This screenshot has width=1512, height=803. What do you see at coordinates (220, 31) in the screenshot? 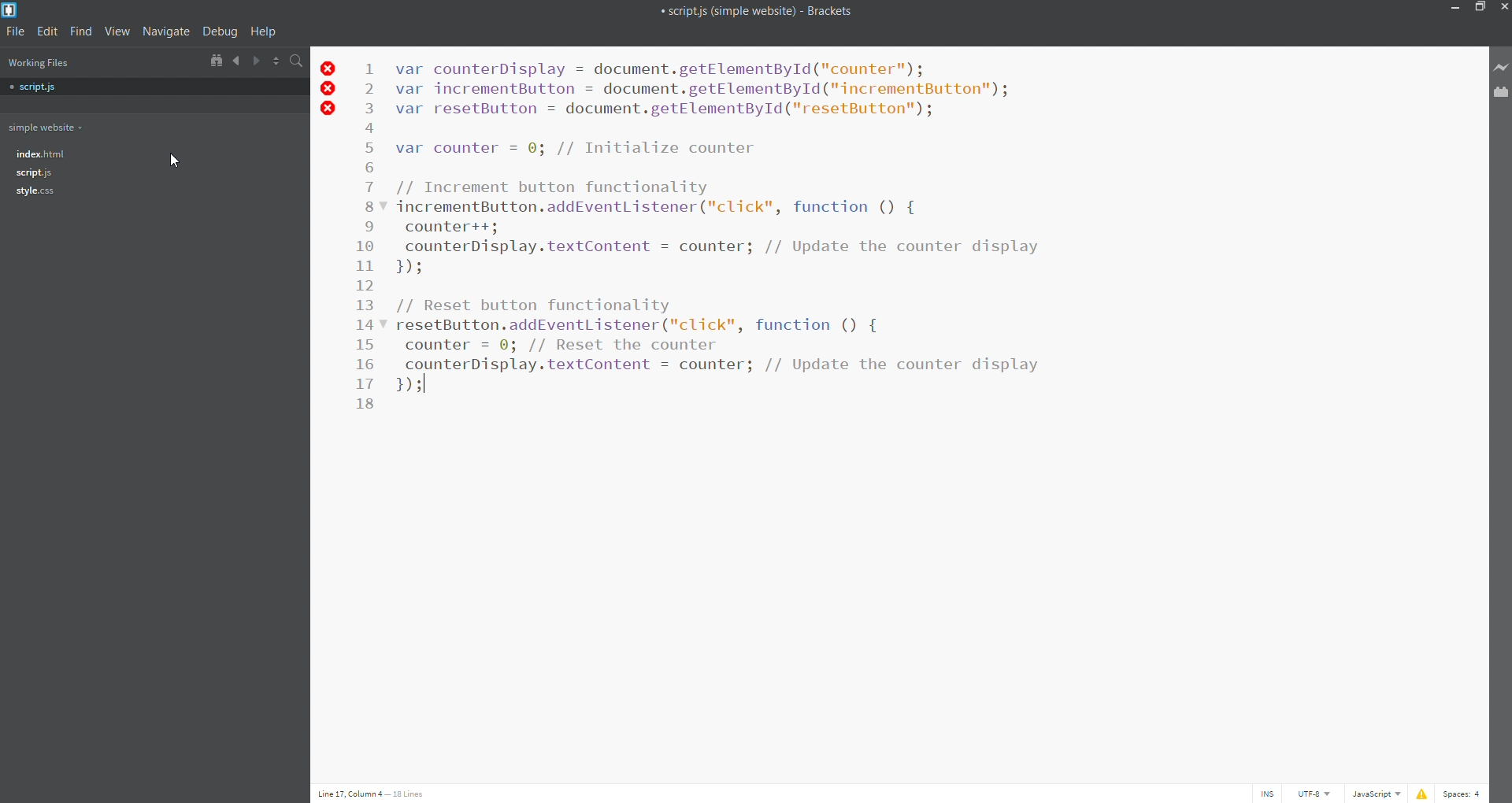
I see `debug` at bounding box center [220, 31].